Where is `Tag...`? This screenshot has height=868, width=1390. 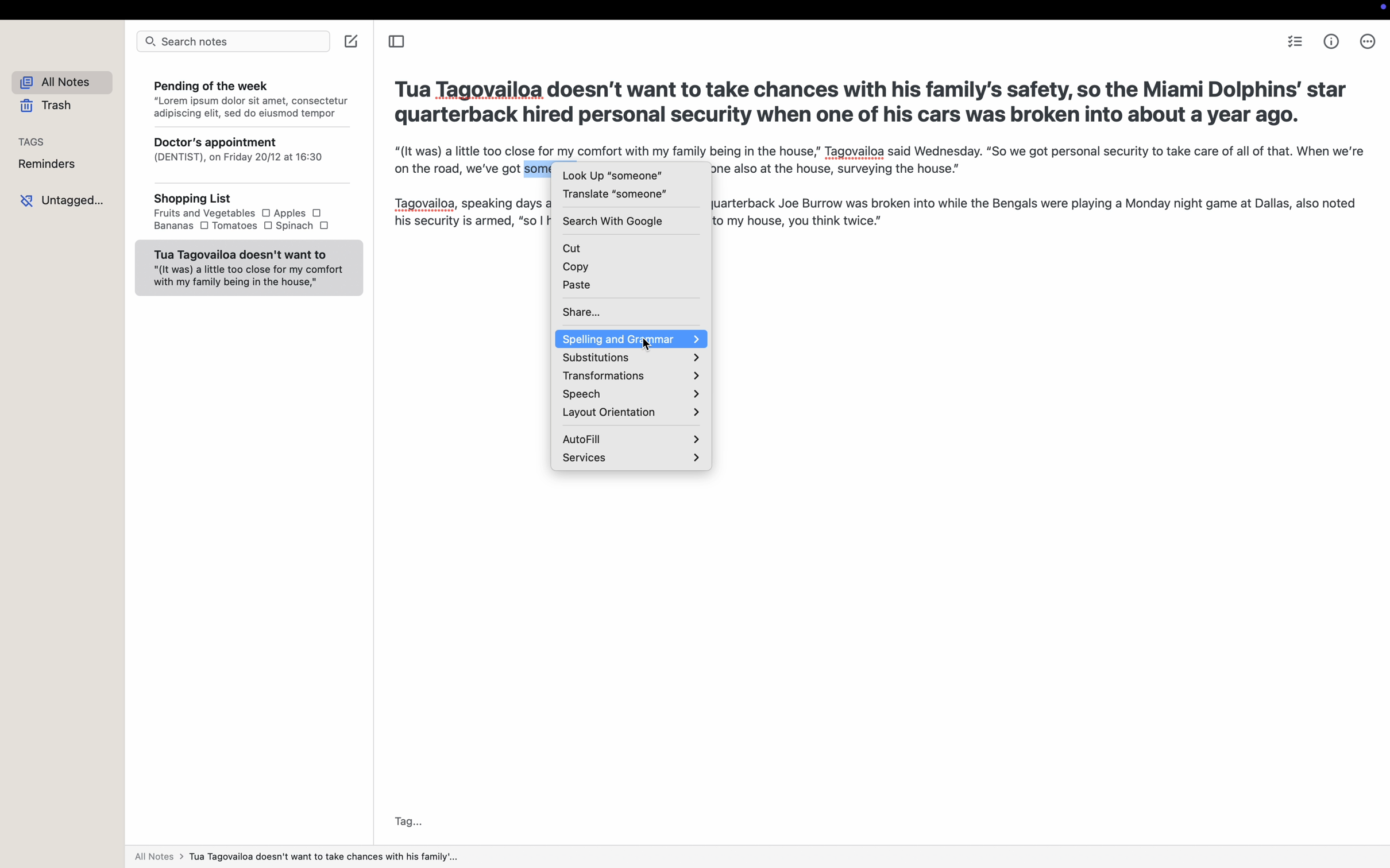
Tag... is located at coordinates (406, 822).